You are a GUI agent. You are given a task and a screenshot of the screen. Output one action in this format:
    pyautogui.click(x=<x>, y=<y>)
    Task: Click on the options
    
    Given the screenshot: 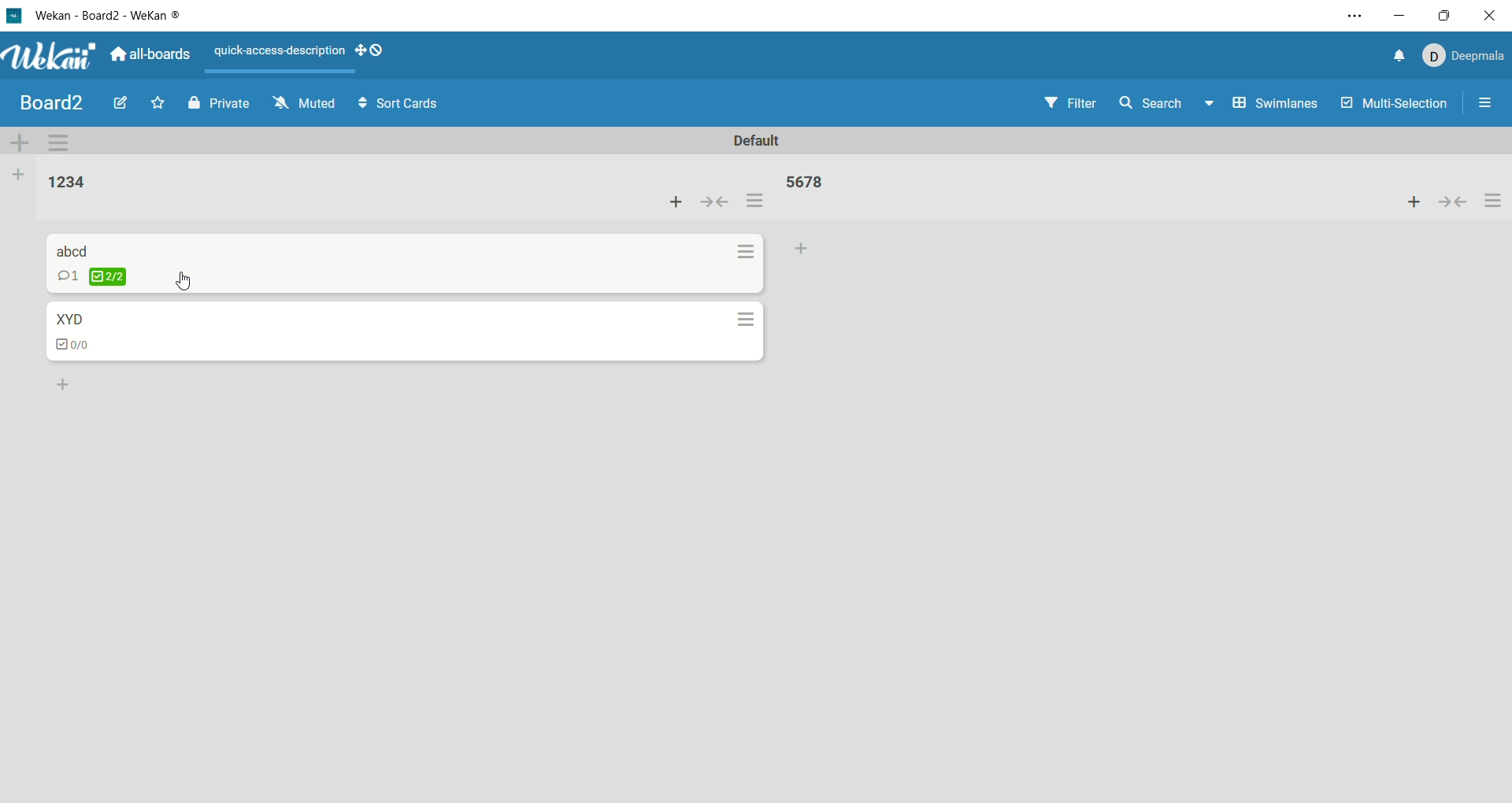 What is the action you would take?
    pyautogui.click(x=747, y=317)
    